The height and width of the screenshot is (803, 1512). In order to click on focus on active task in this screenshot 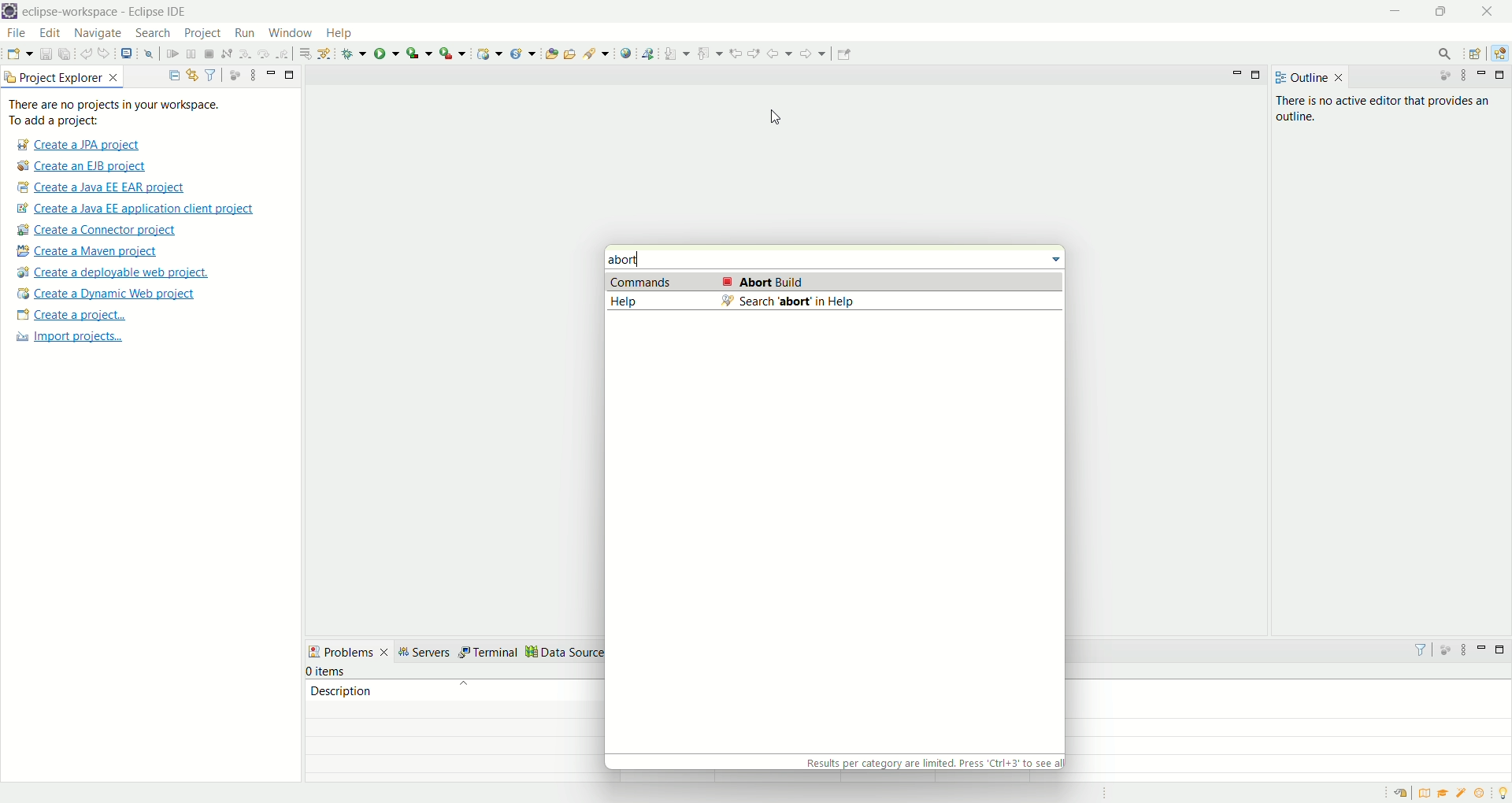, I will do `click(234, 73)`.